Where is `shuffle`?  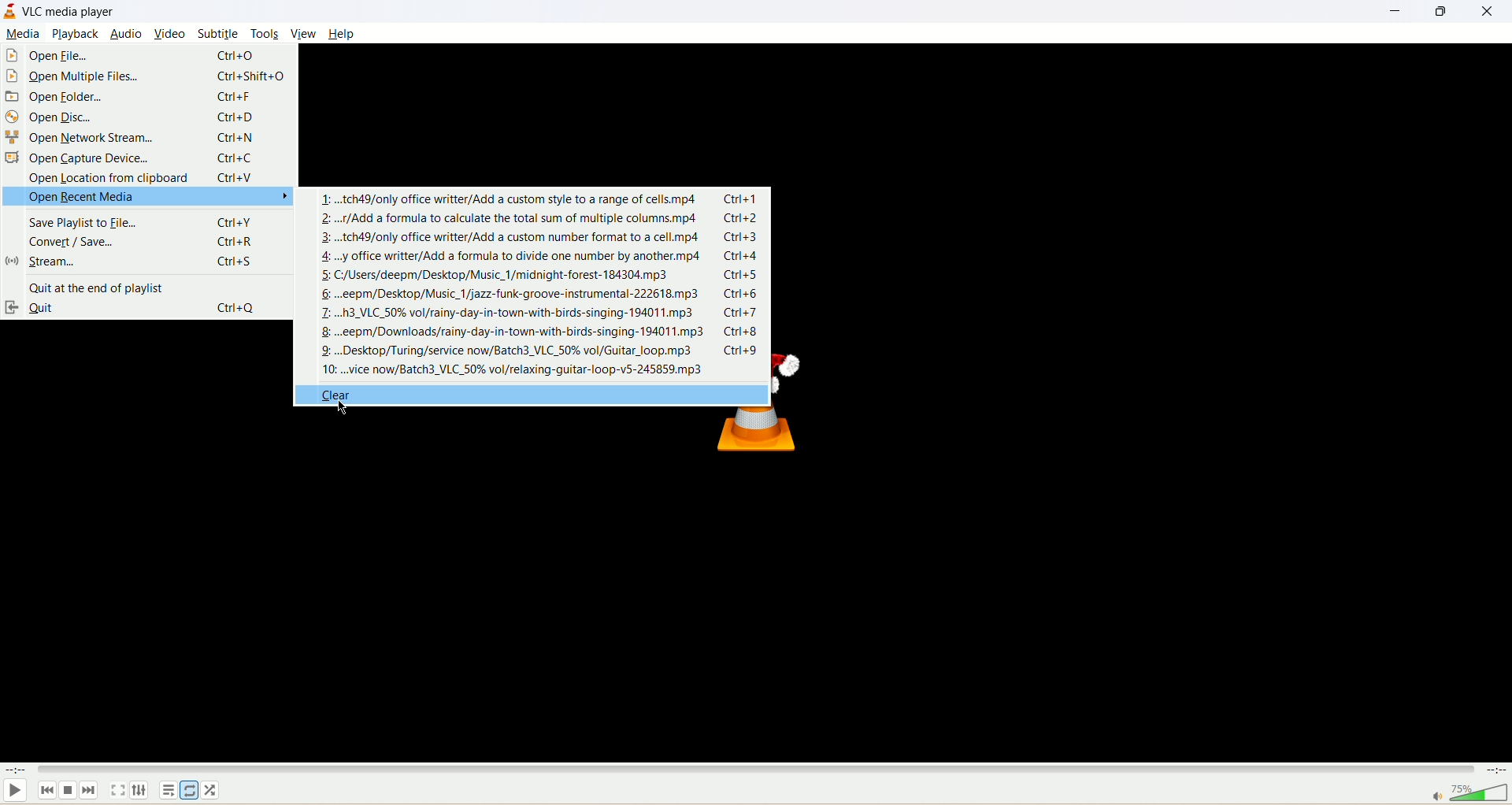 shuffle is located at coordinates (214, 791).